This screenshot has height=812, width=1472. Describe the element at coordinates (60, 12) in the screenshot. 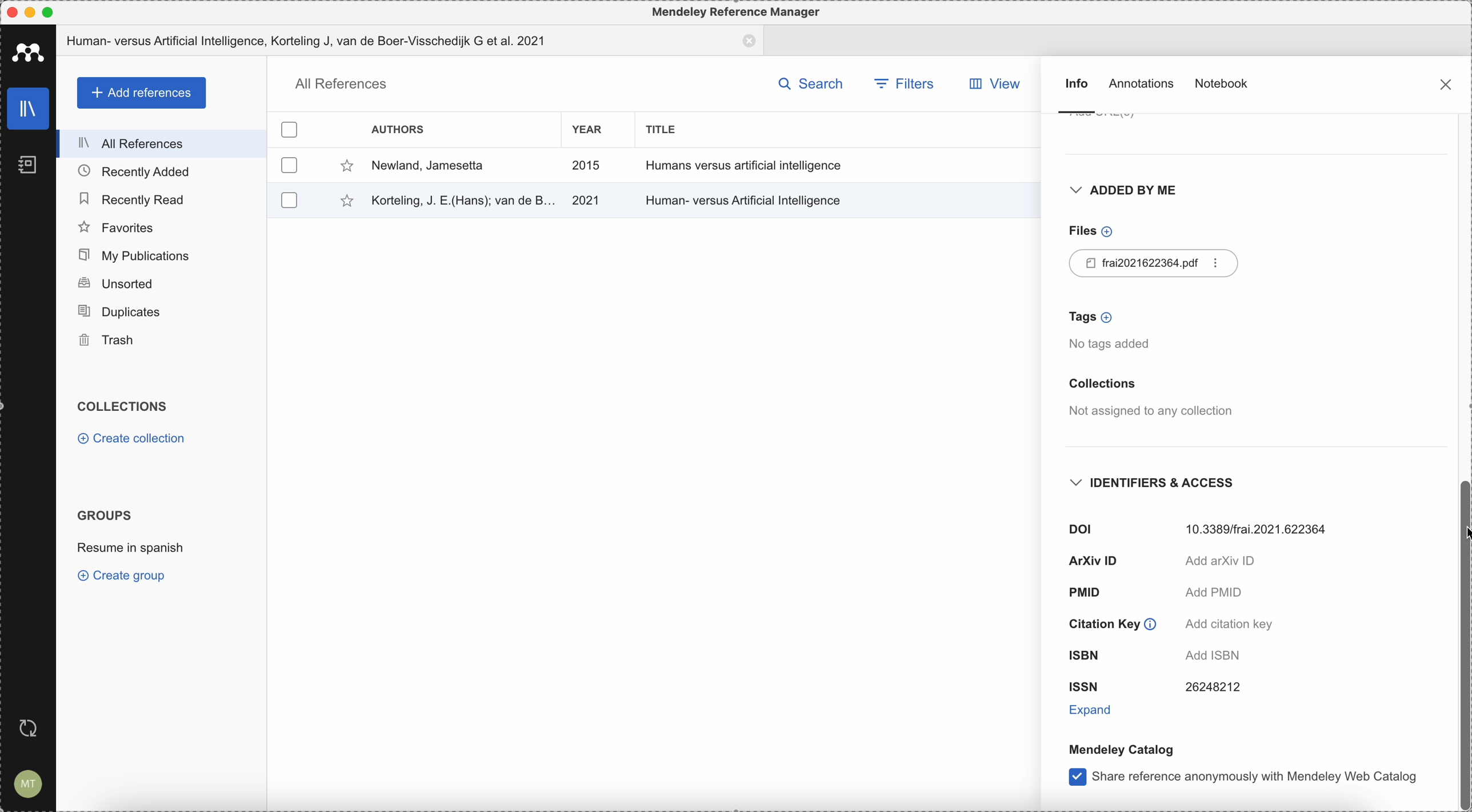

I see `maximize Mendeley` at that location.